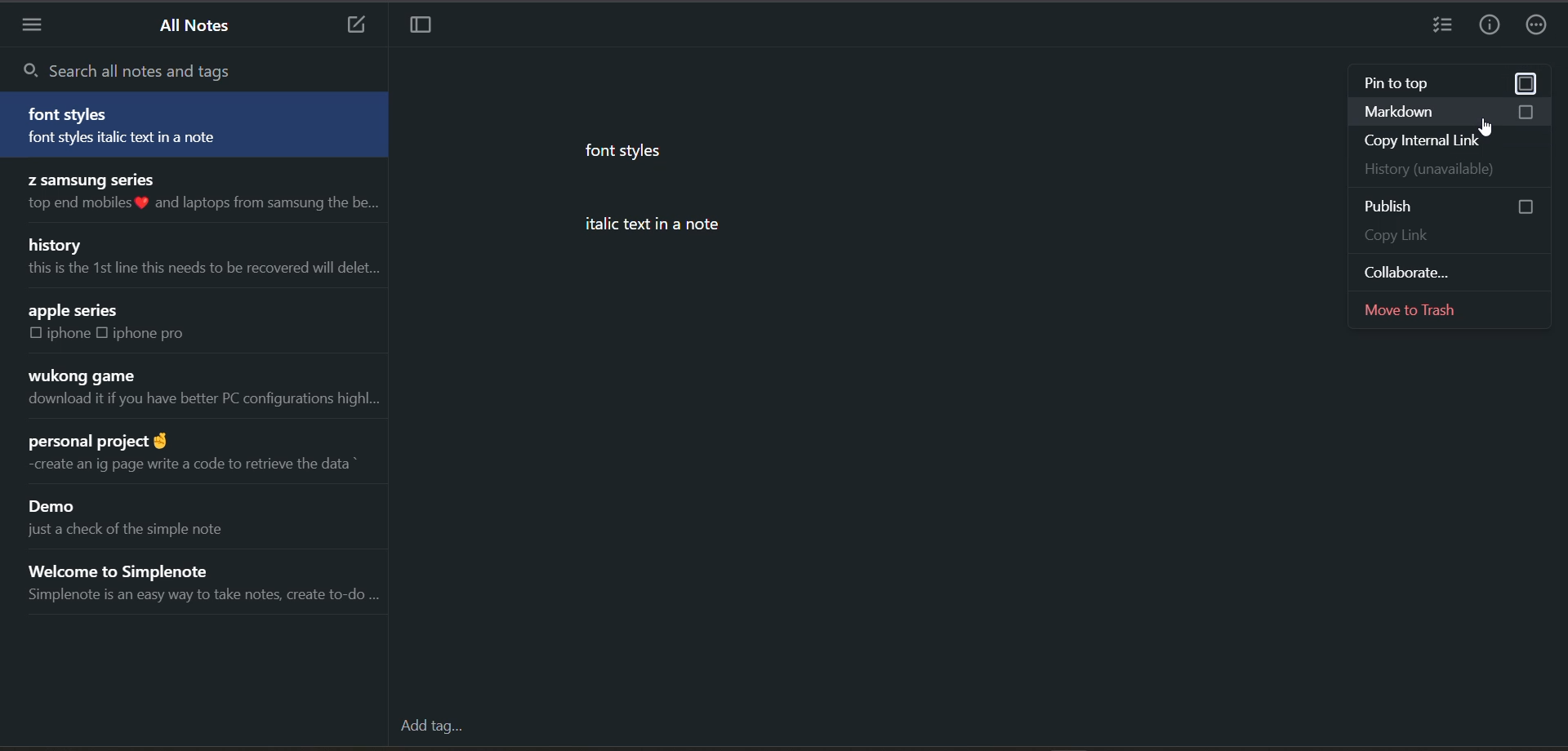 This screenshot has height=751, width=1568. What do you see at coordinates (1541, 23) in the screenshot?
I see `actions` at bounding box center [1541, 23].